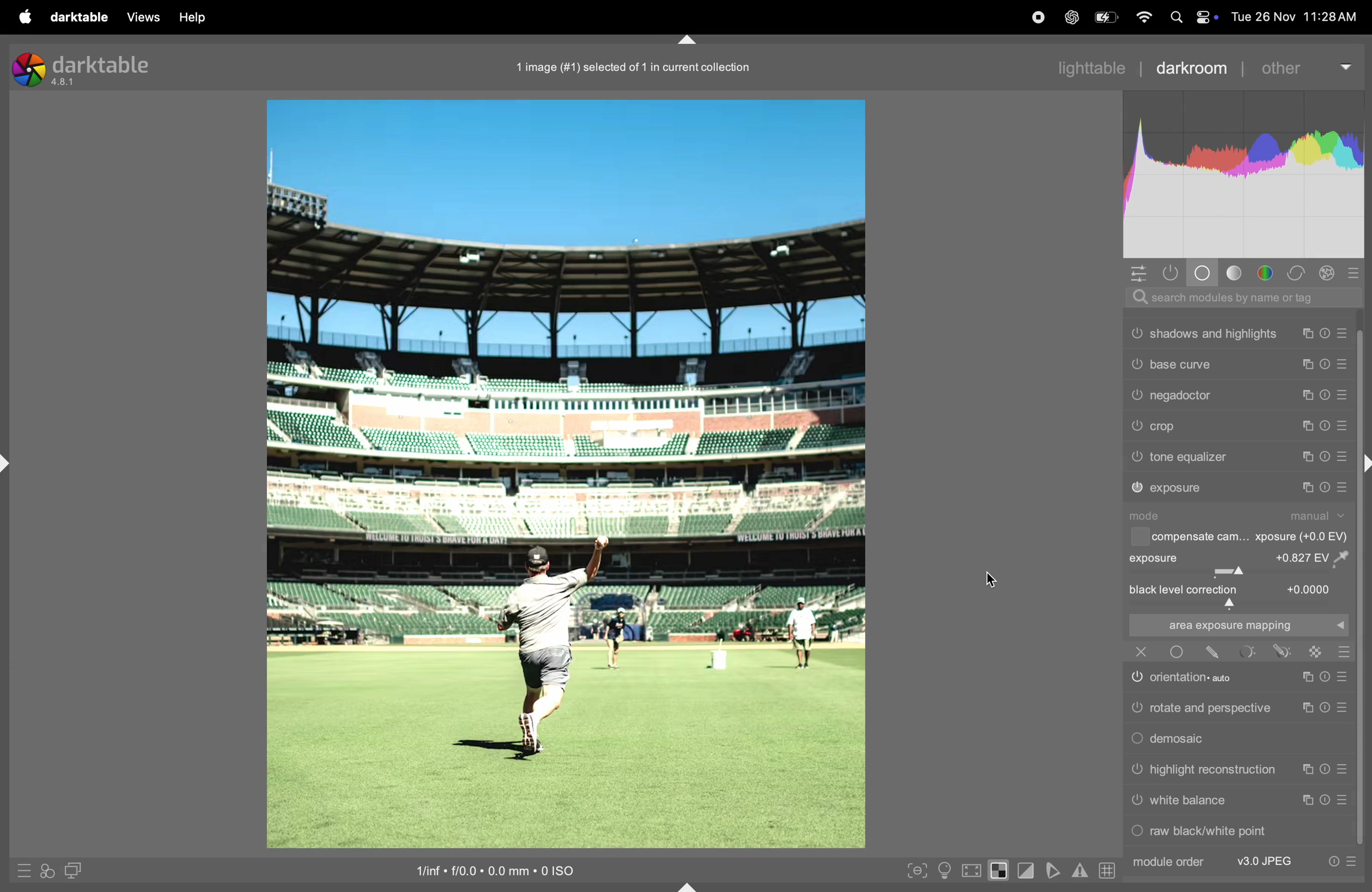 The image size is (1372, 892). What do you see at coordinates (140, 17) in the screenshot?
I see `views` at bounding box center [140, 17].